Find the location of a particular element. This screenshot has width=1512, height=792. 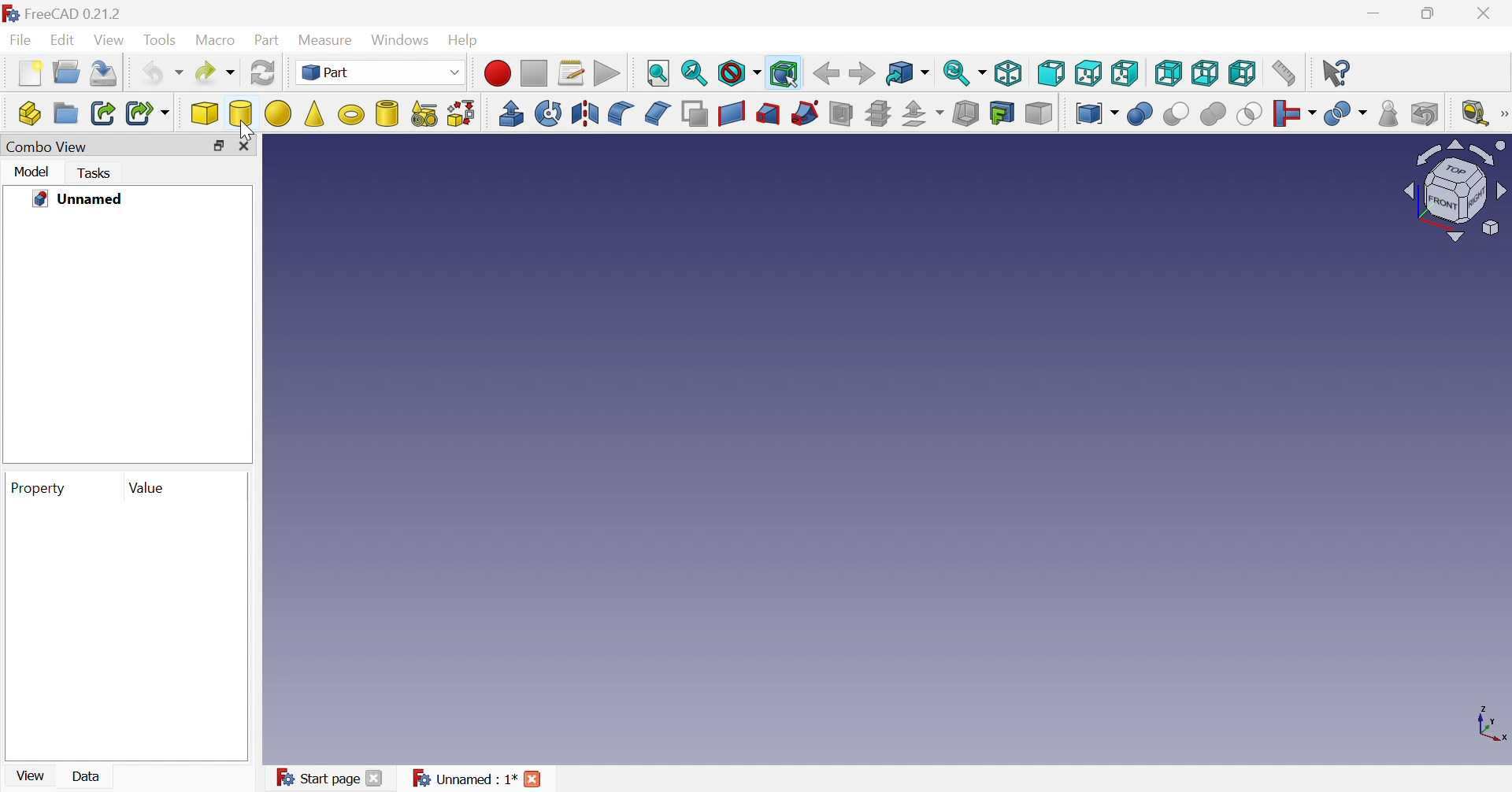

Edit is located at coordinates (65, 41).